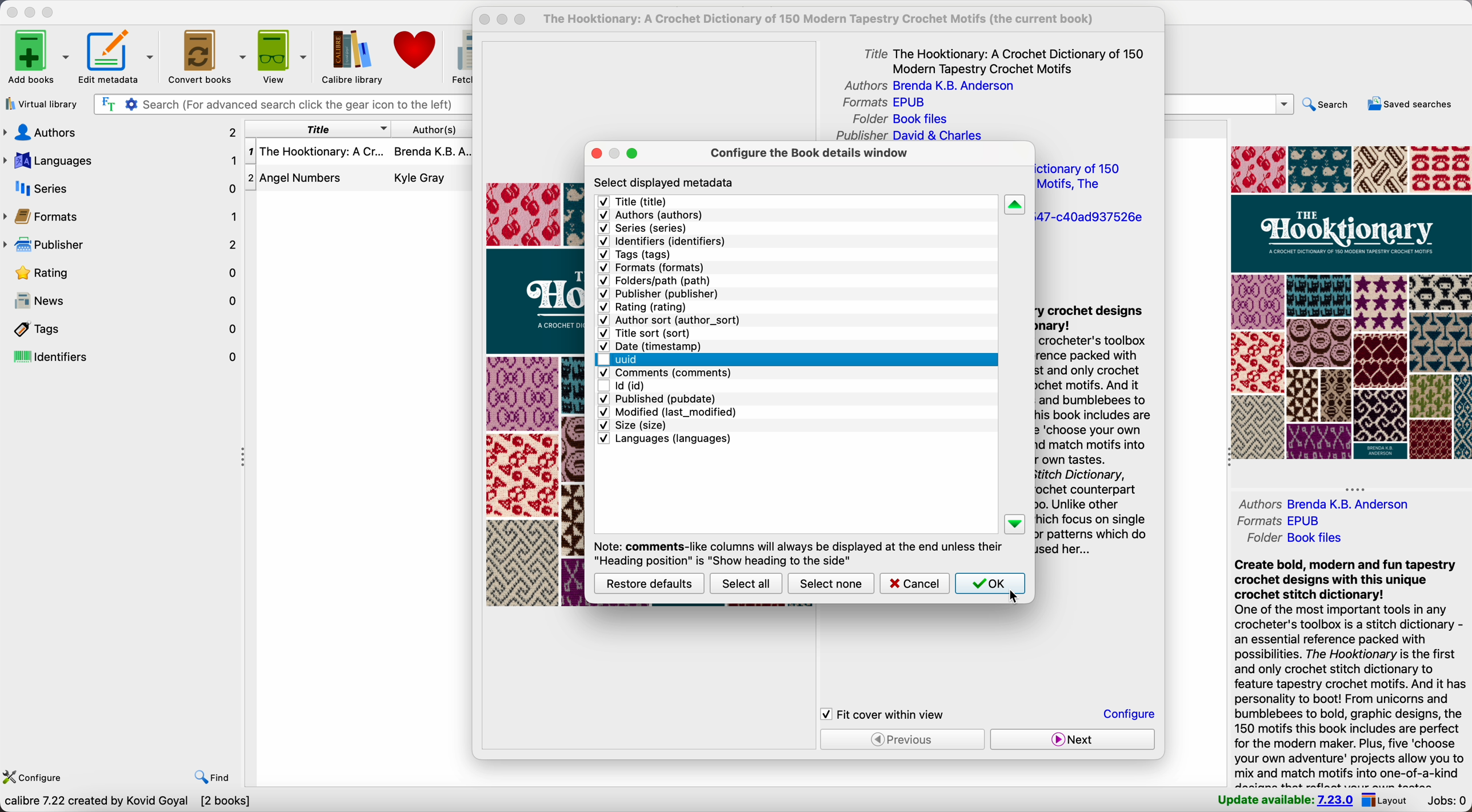 This screenshot has height=812, width=1472. I want to click on folders/path, so click(657, 281).